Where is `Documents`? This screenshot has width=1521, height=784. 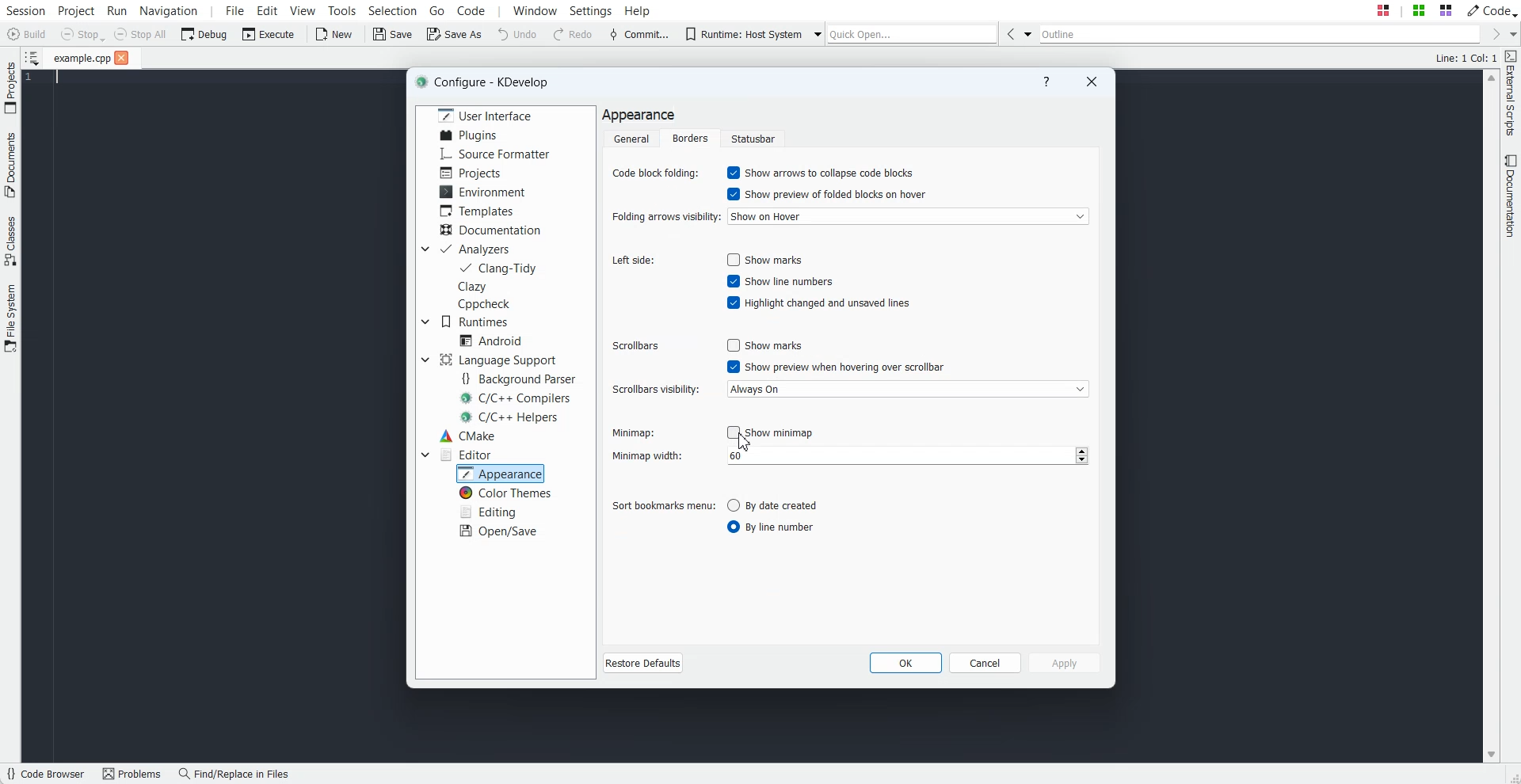
Documents is located at coordinates (10, 165).